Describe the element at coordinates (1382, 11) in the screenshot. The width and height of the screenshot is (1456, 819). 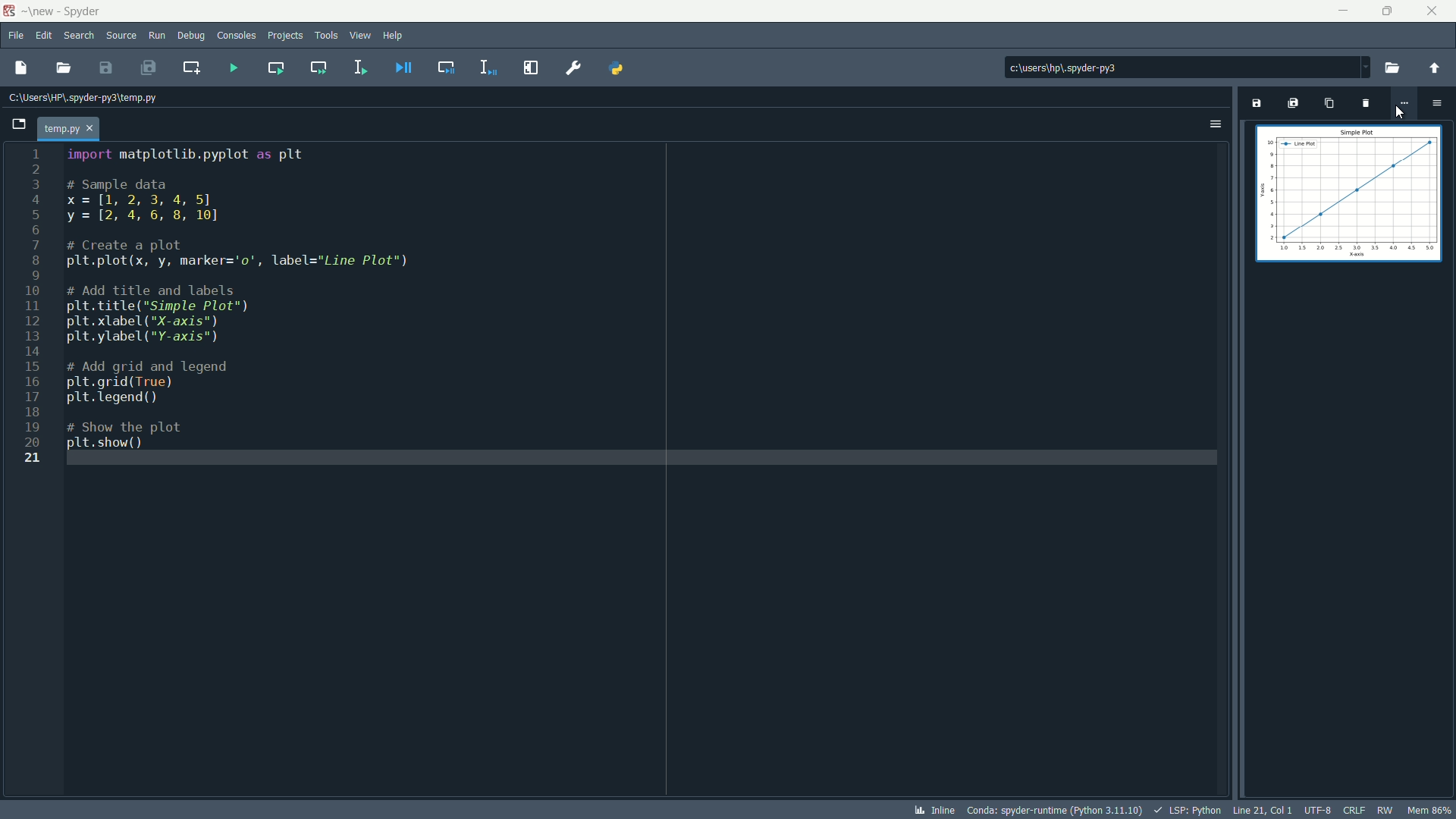
I see `maximize ` at that location.